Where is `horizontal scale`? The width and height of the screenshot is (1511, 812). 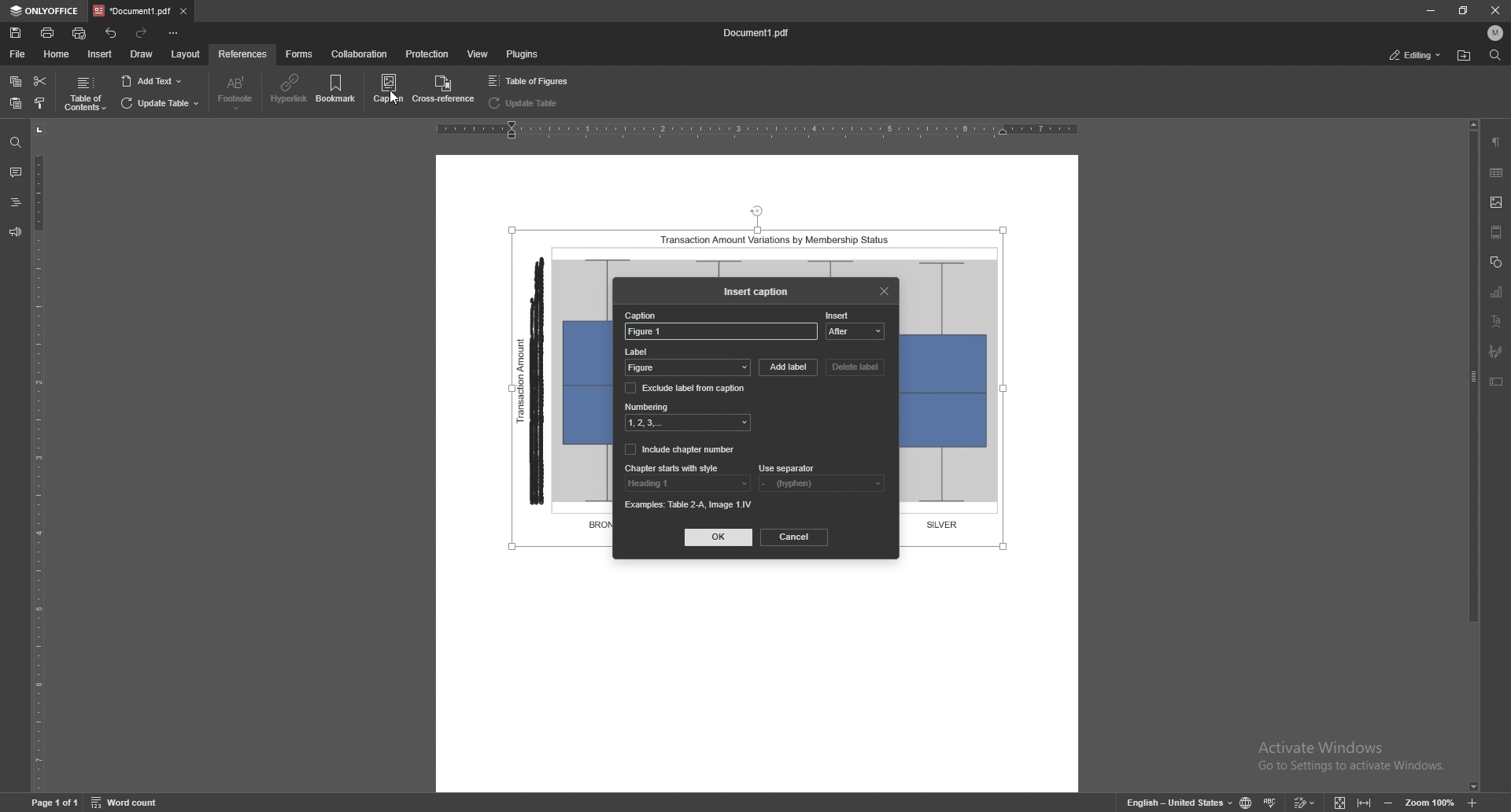
horizontal scale is located at coordinates (759, 132).